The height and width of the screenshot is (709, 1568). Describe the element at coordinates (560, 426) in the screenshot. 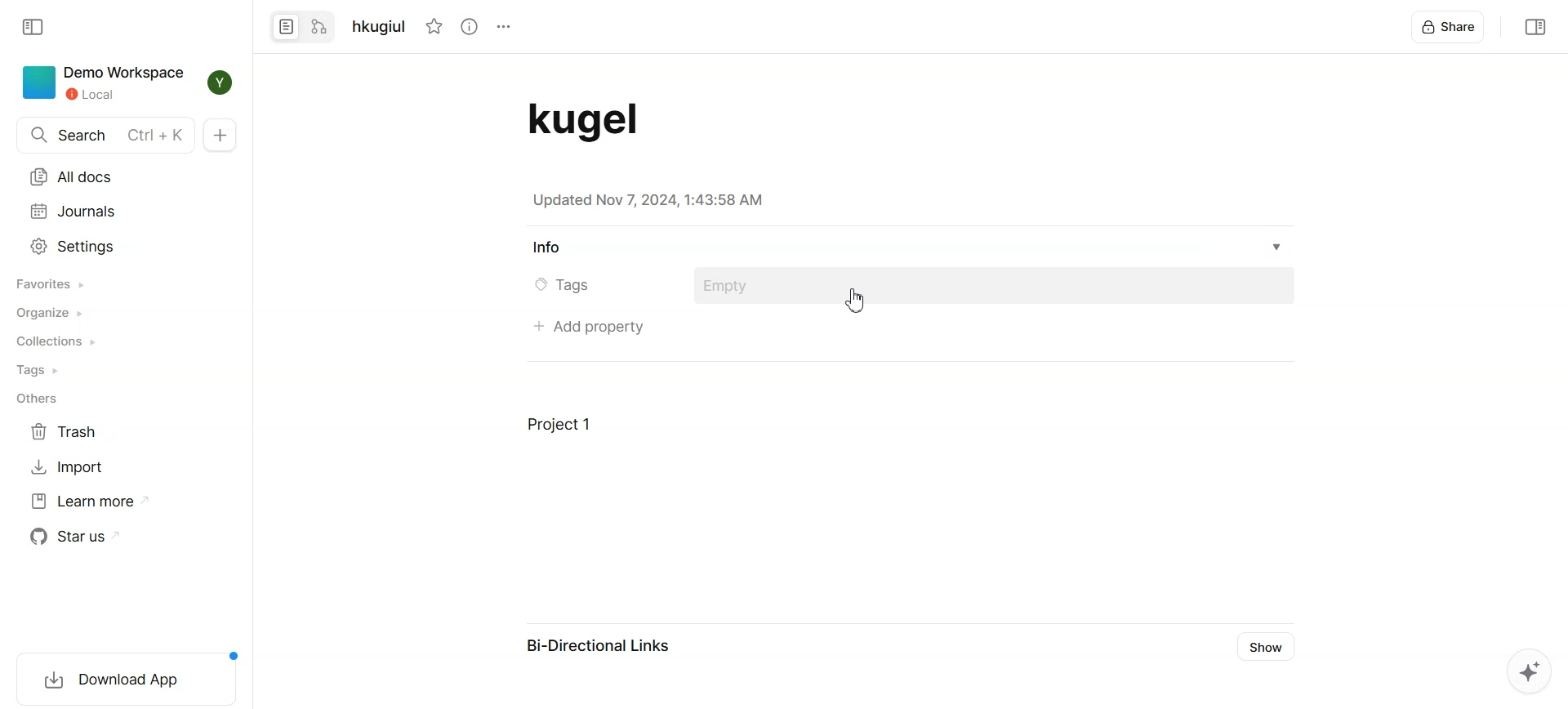

I see `Project 1` at that location.